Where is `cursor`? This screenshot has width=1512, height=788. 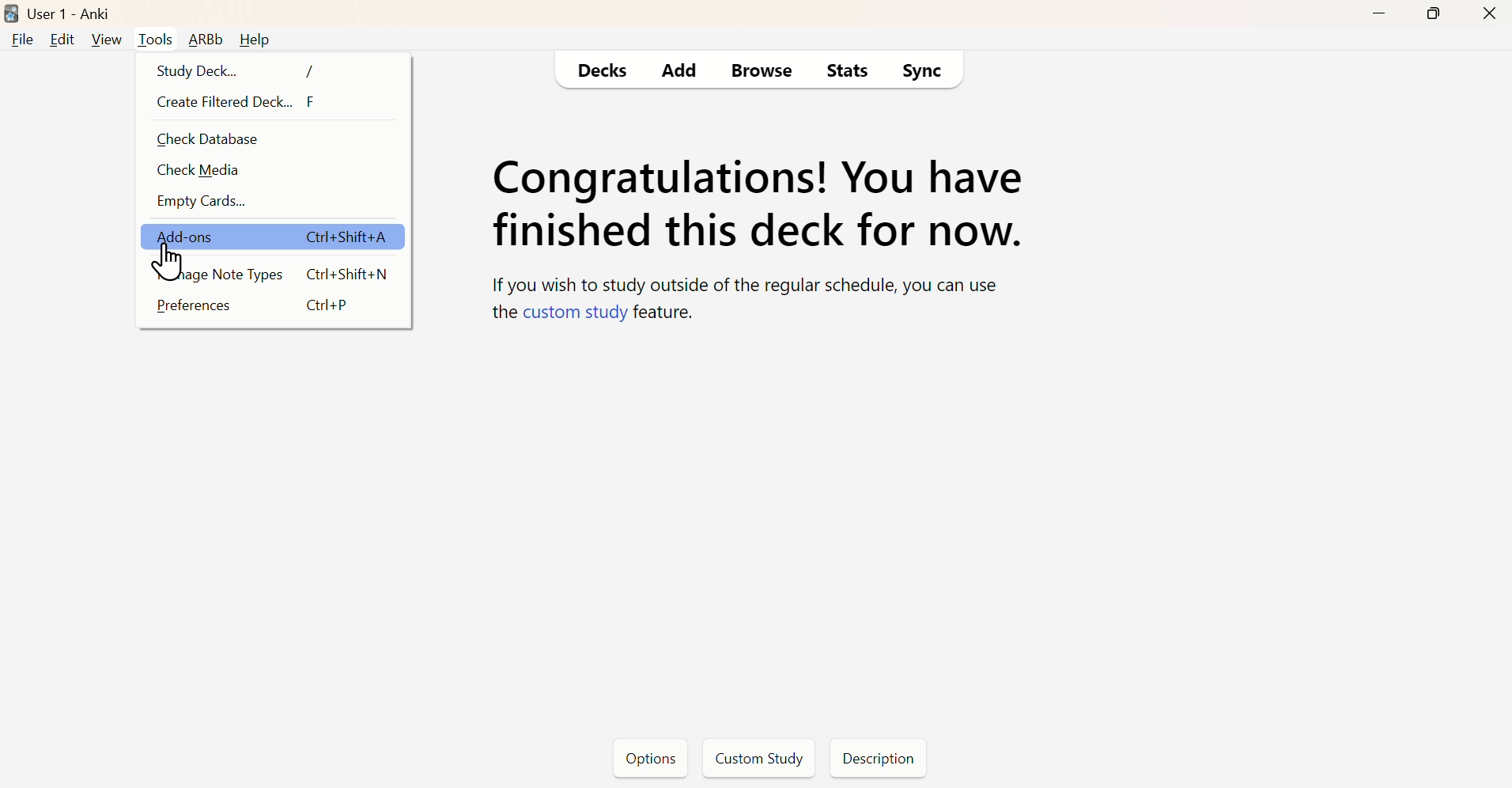
cursor is located at coordinates (172, 264).